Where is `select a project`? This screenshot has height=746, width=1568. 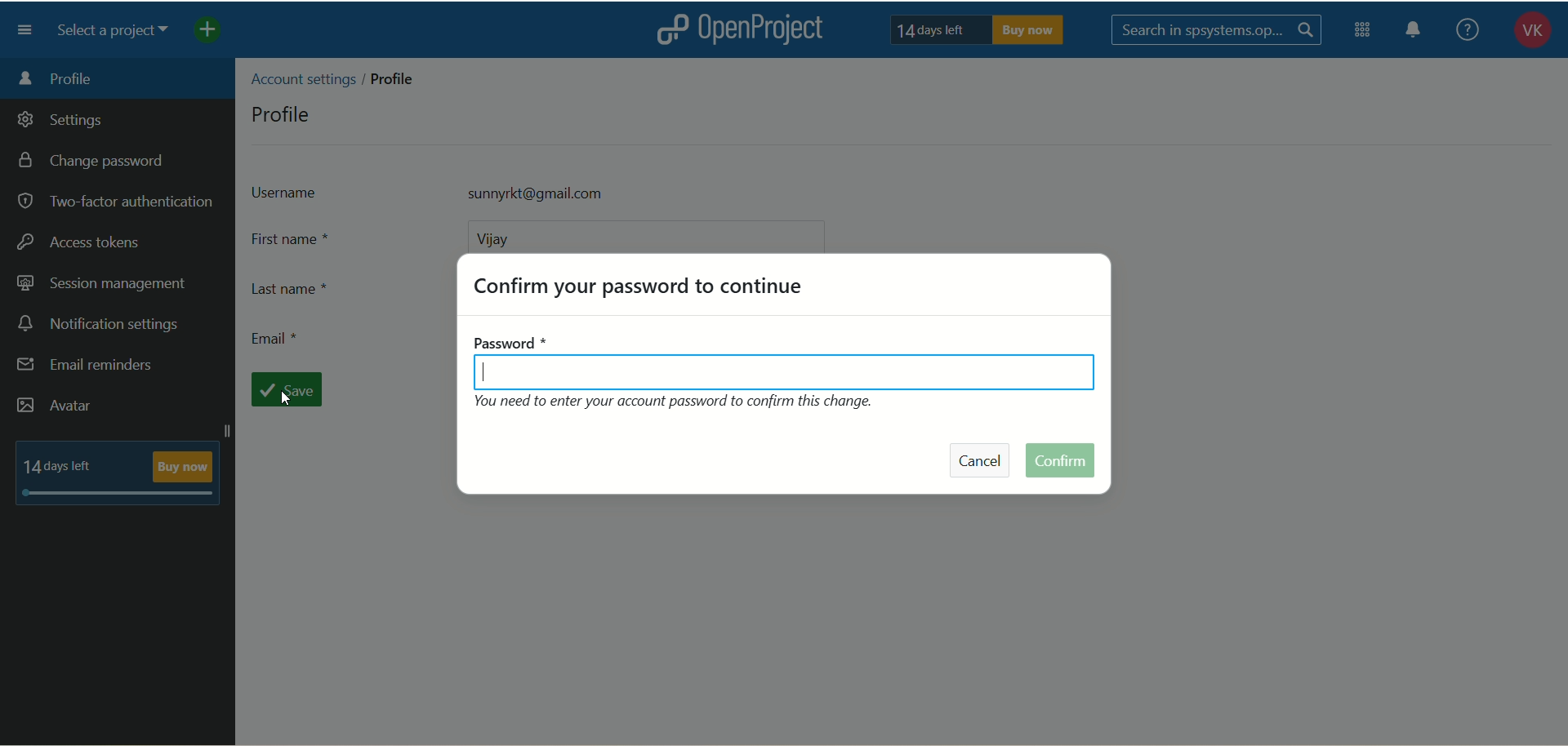
select a project is located at coordinates (119, 33).